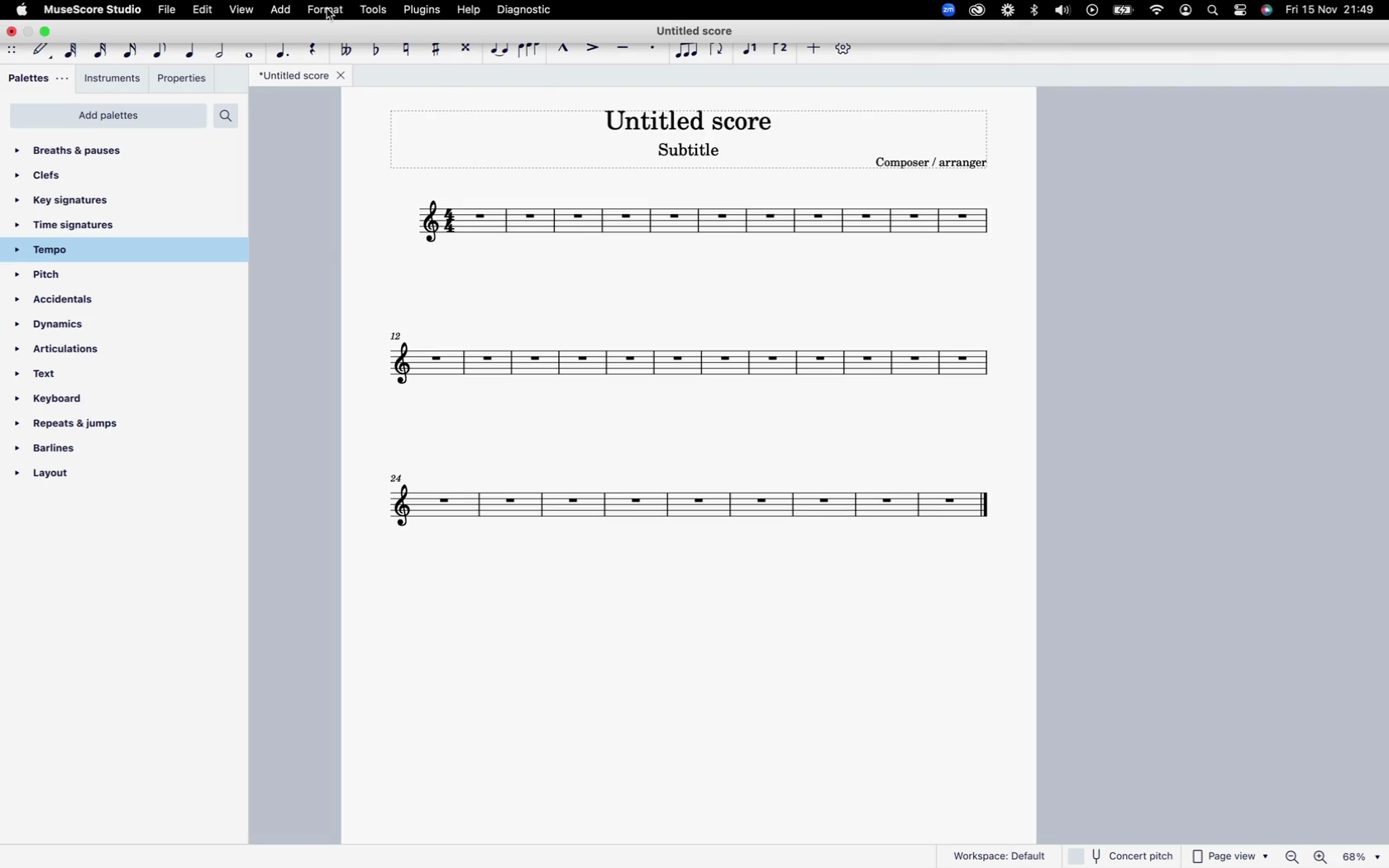 Image resolution: width=1389 pixels, height=868 pixels. Describe the element at coordinates (1124, 10) in the screenshot. I see `battery` at that location.